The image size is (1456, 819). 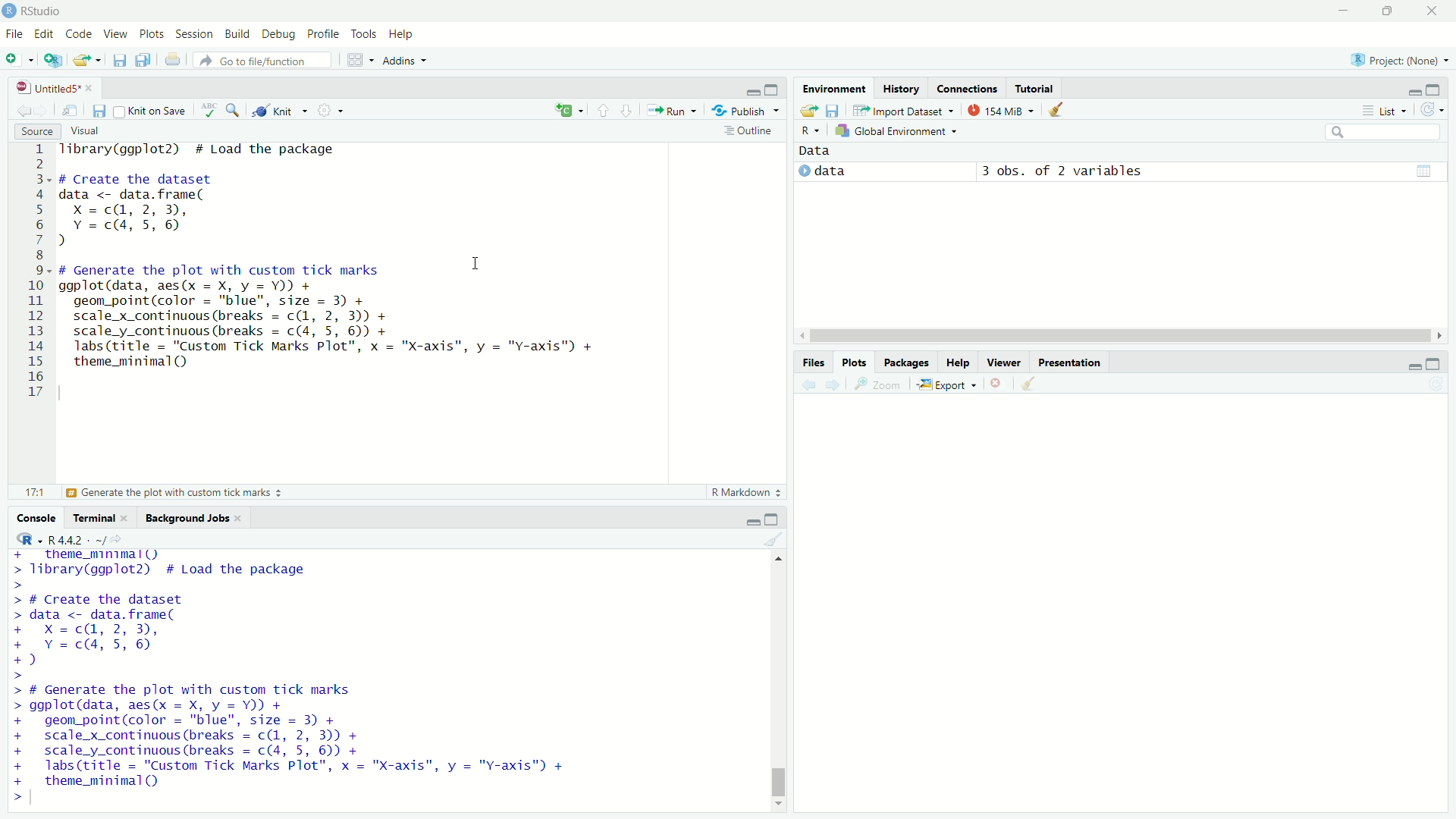 I want to click on plots, so click(x=152, y=36).